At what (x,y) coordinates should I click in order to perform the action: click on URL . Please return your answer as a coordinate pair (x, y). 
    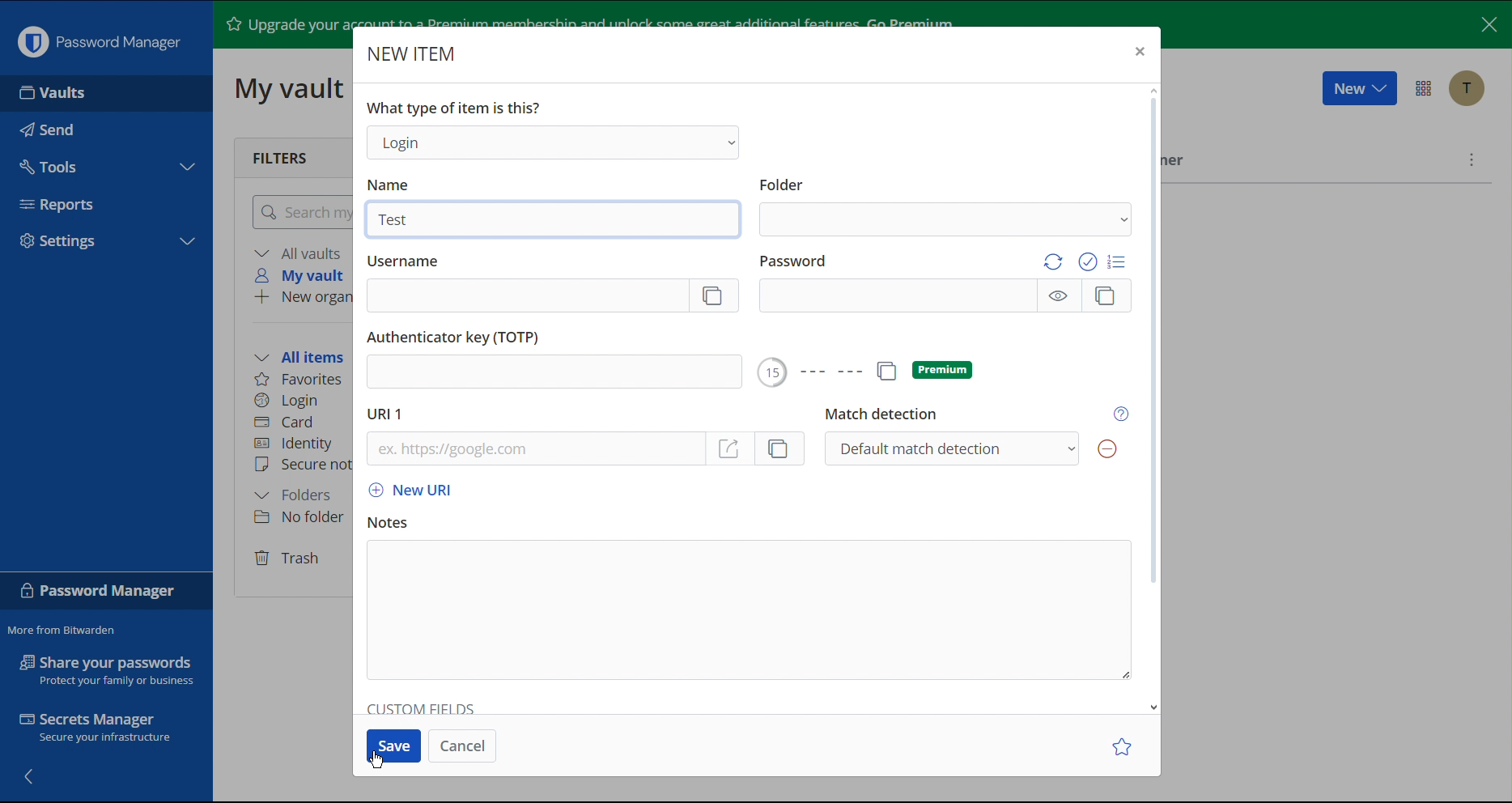
    Looking at the image, I should click on (588, 452).